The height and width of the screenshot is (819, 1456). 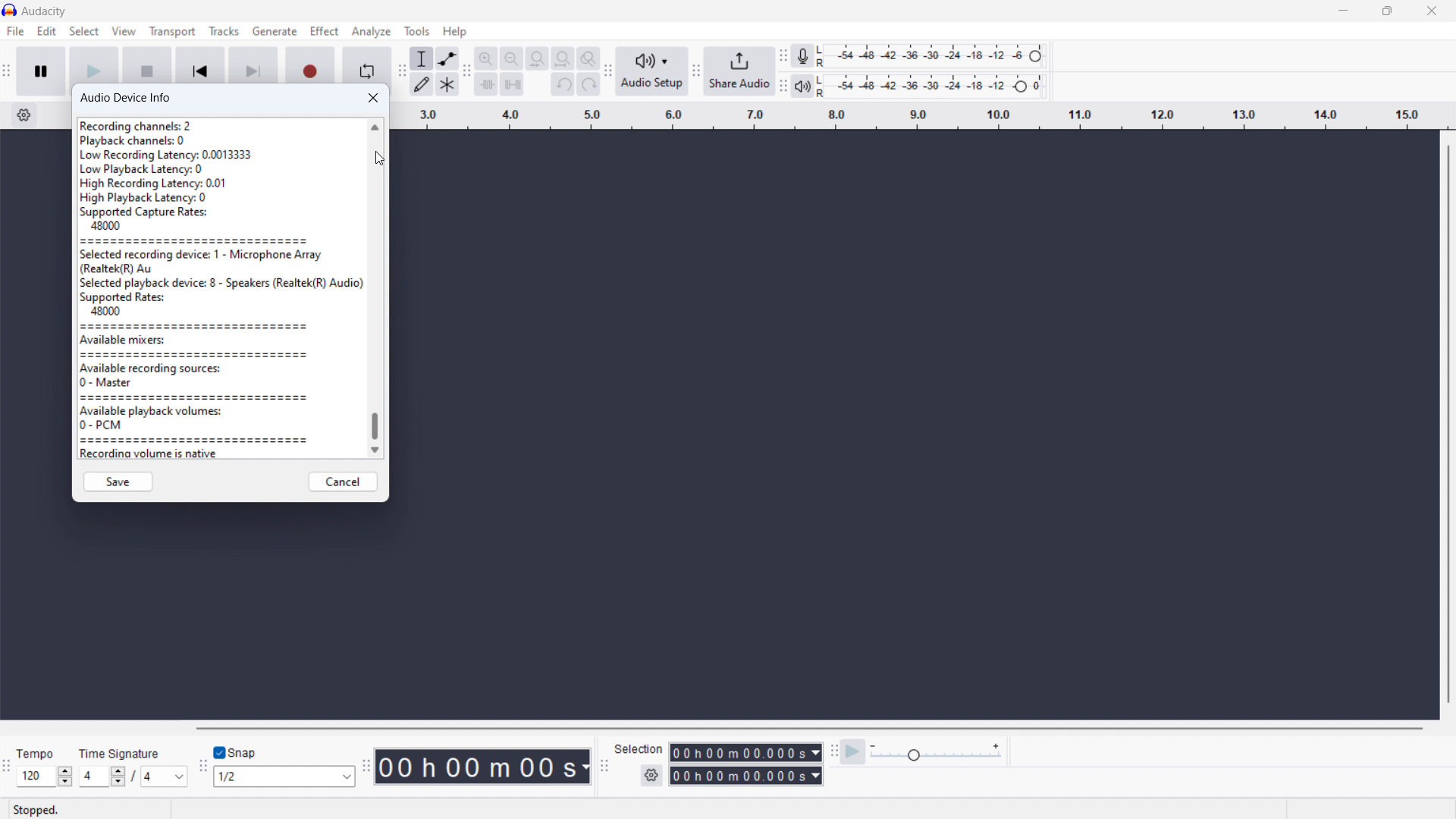 What do you see at coordinates (609, 72) in the screenshot?
I see `audio setup toolbar` at bounding box center [609, 72].